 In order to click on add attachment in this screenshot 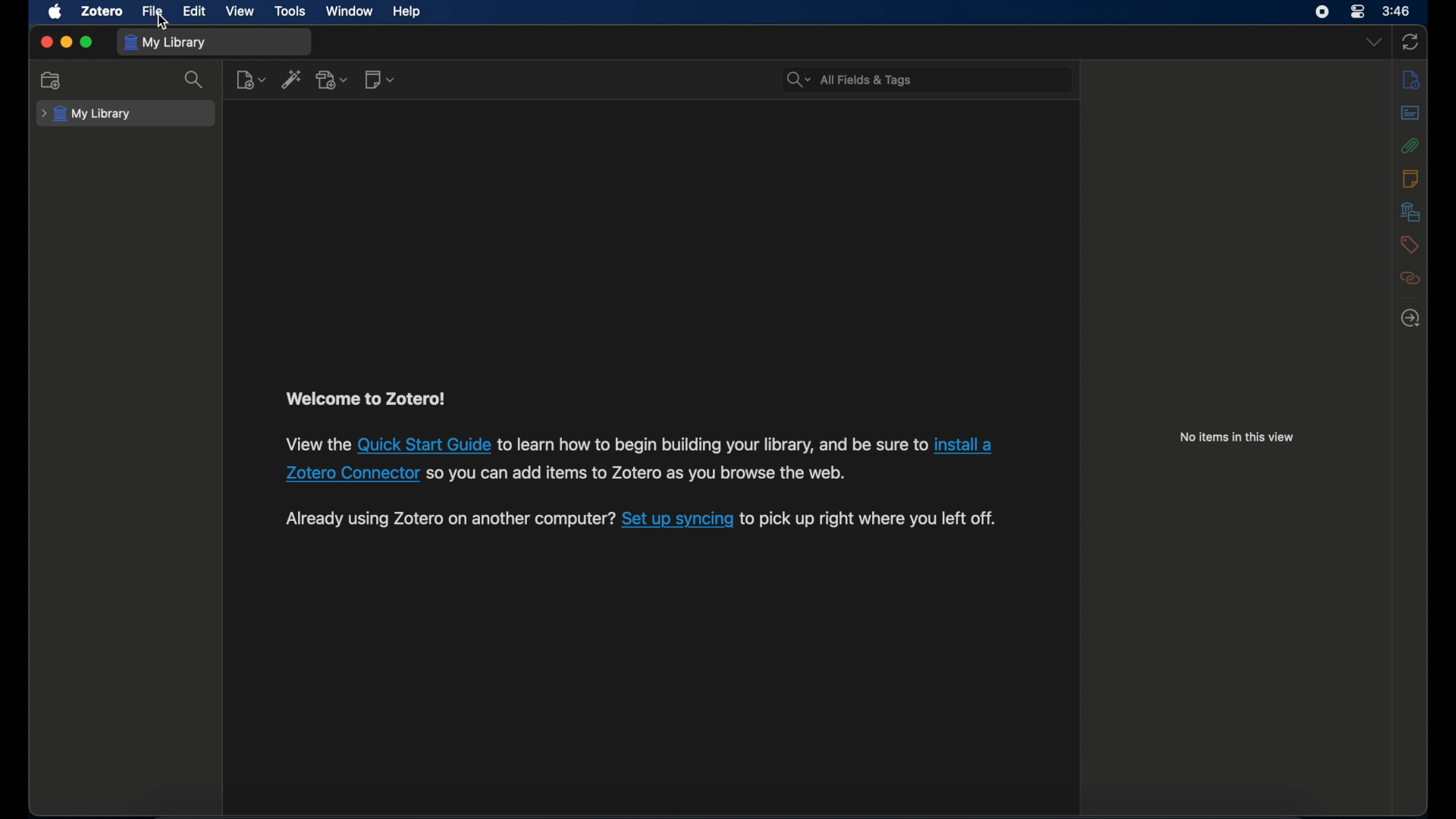, I will do `click(332, 80)`.